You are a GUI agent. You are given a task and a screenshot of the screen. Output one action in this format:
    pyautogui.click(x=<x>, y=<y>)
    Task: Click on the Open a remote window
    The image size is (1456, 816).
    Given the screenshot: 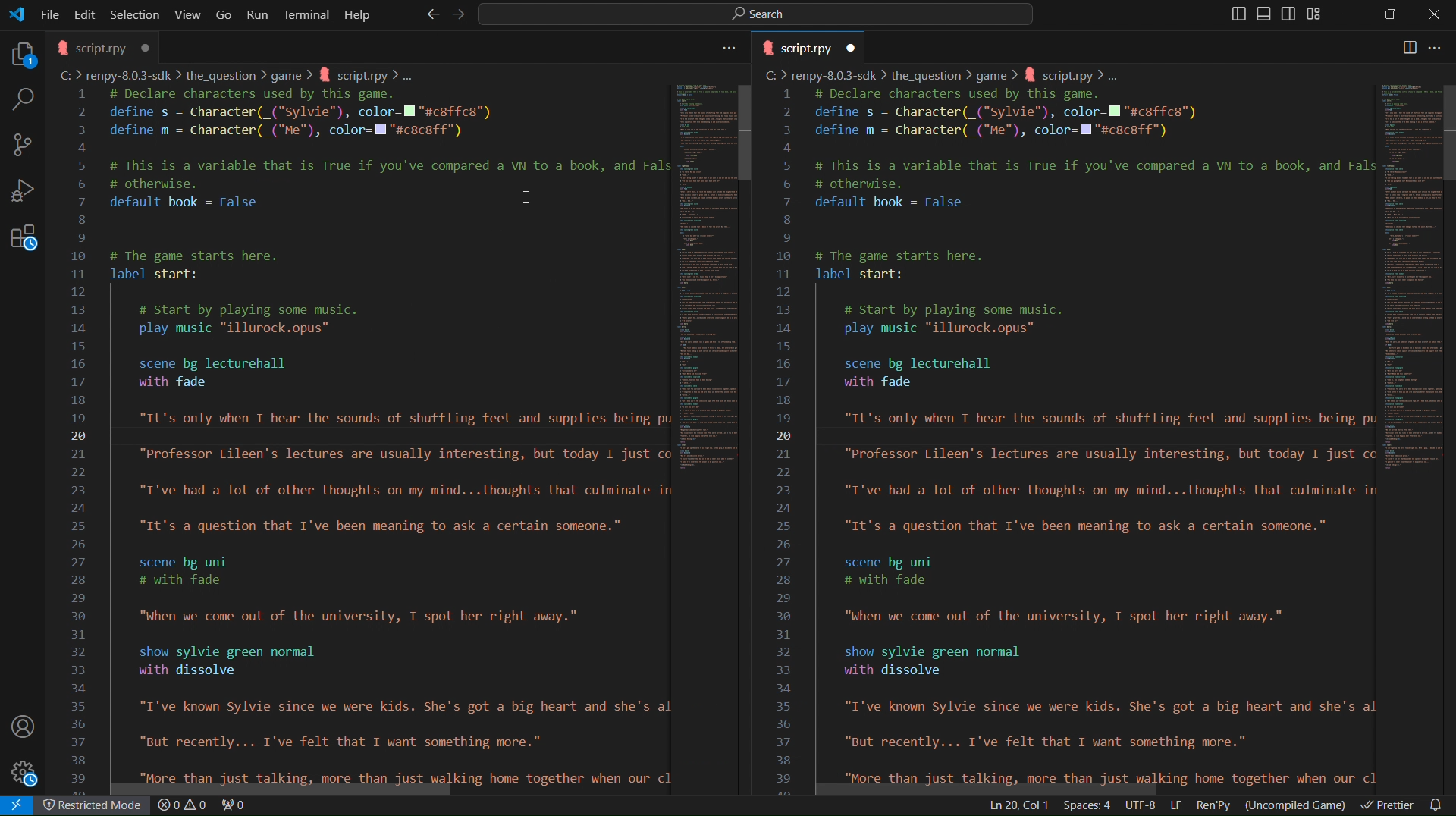 What is the action you would take?
    pyautogui.click(x=20, y=805)
    